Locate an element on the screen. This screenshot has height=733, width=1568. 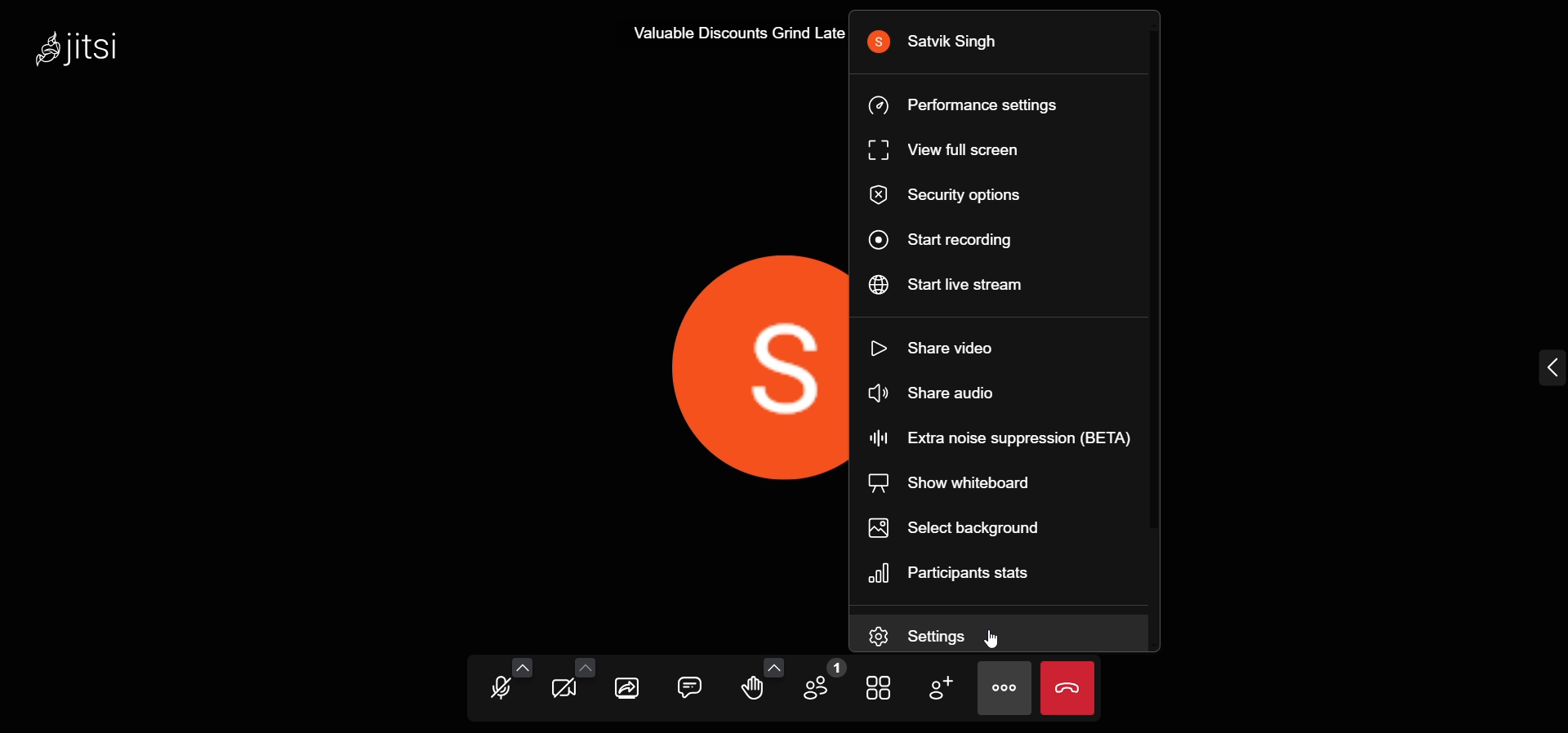
share screen is located at coordinates (627, 686).